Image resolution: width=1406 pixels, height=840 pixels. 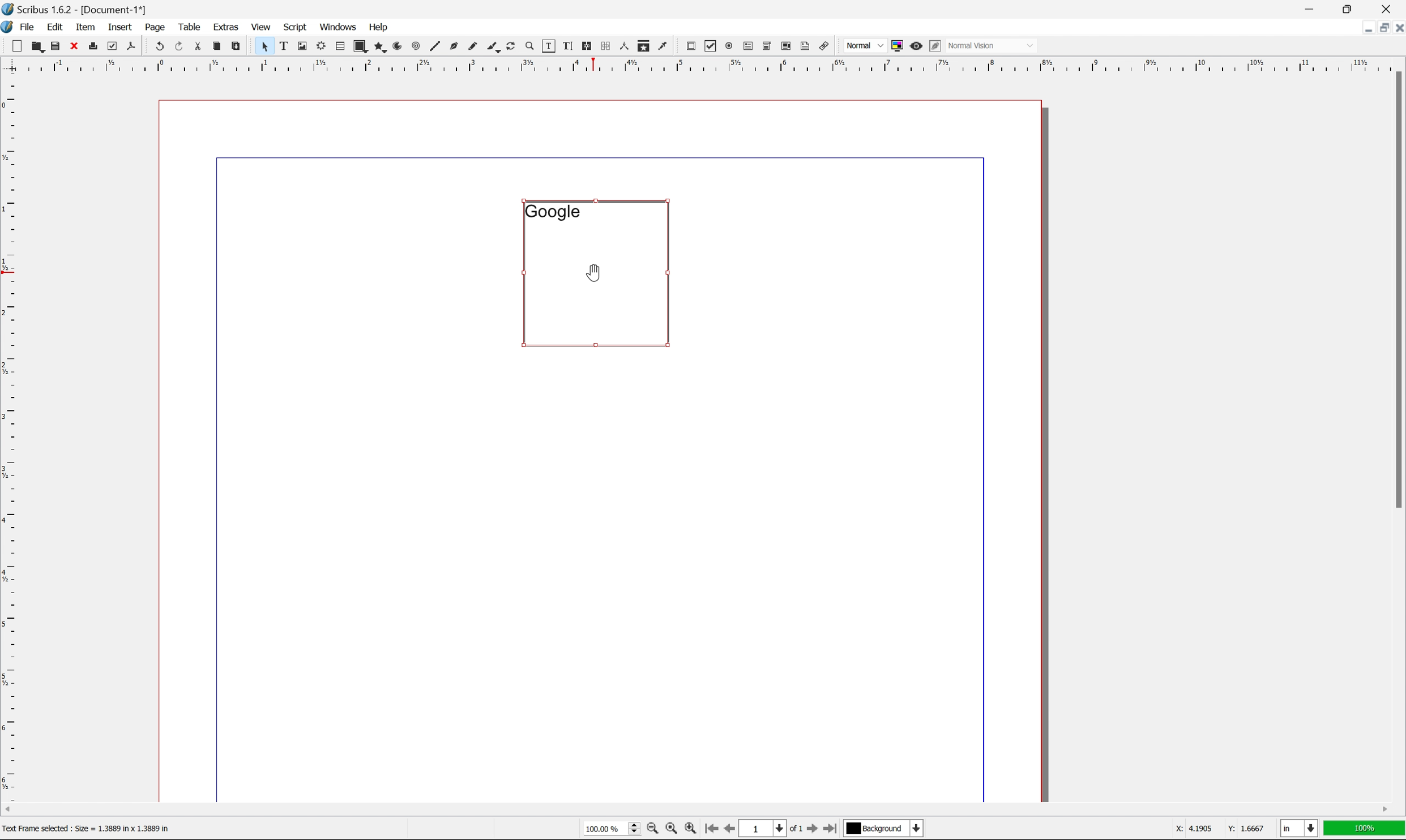 What do you see at coordinates (644, 46) in the screenshot?
I see `copy item properties` at bounding box center [644, 46].